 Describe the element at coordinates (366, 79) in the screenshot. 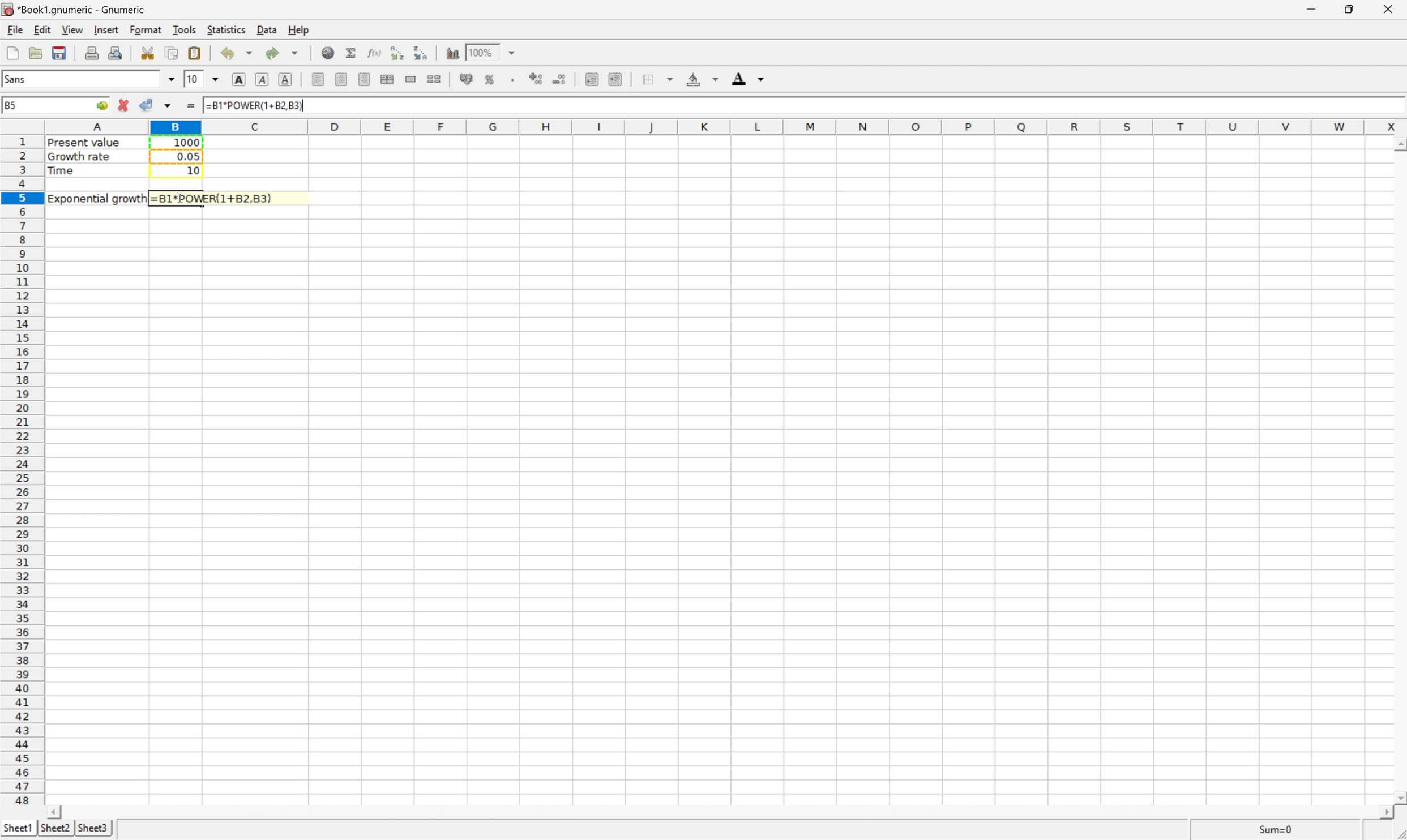

I see `Align Right` at that location.